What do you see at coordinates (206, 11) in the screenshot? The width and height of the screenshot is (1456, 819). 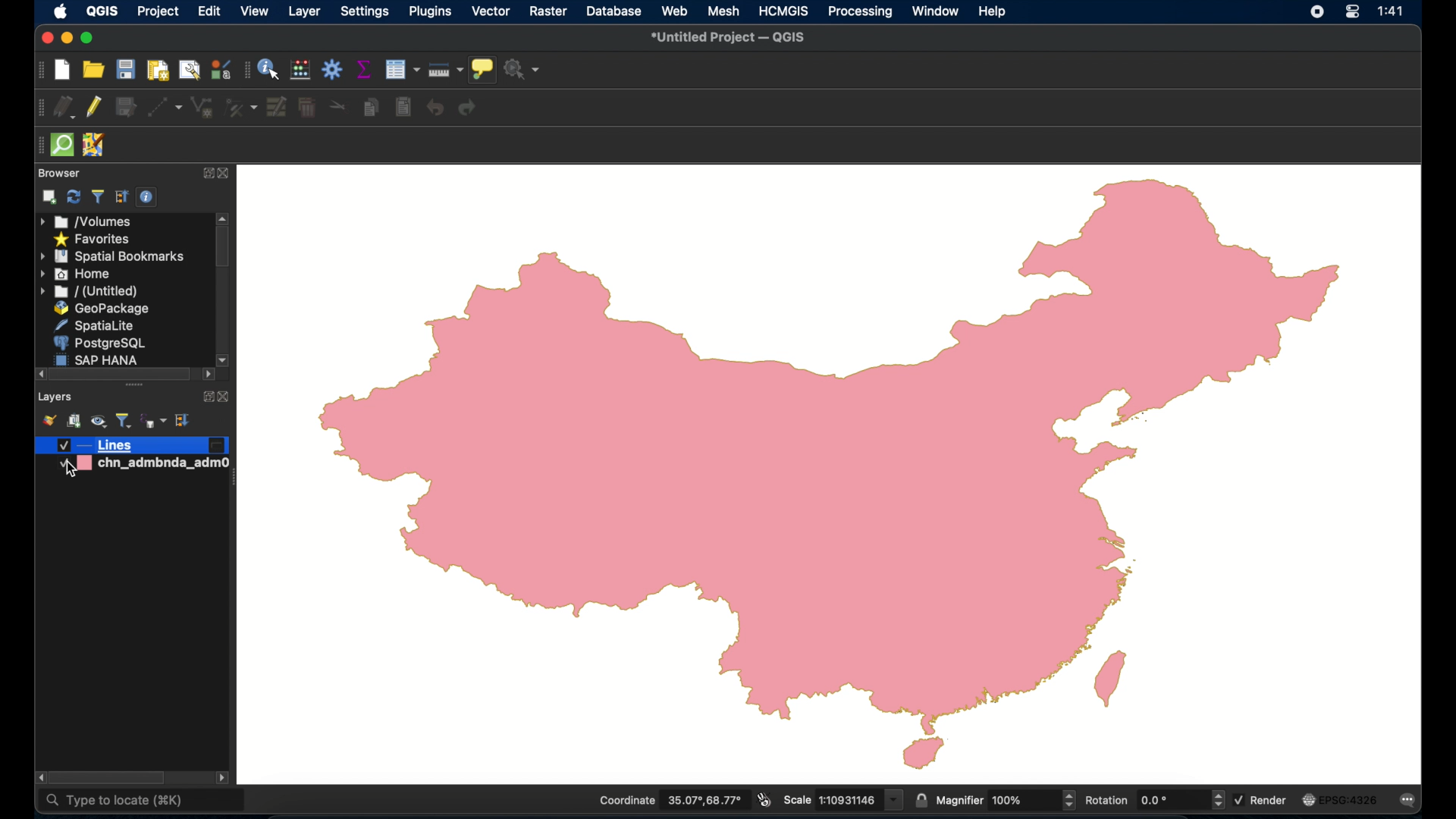 I see `edit` at bounding box center [206, 11].